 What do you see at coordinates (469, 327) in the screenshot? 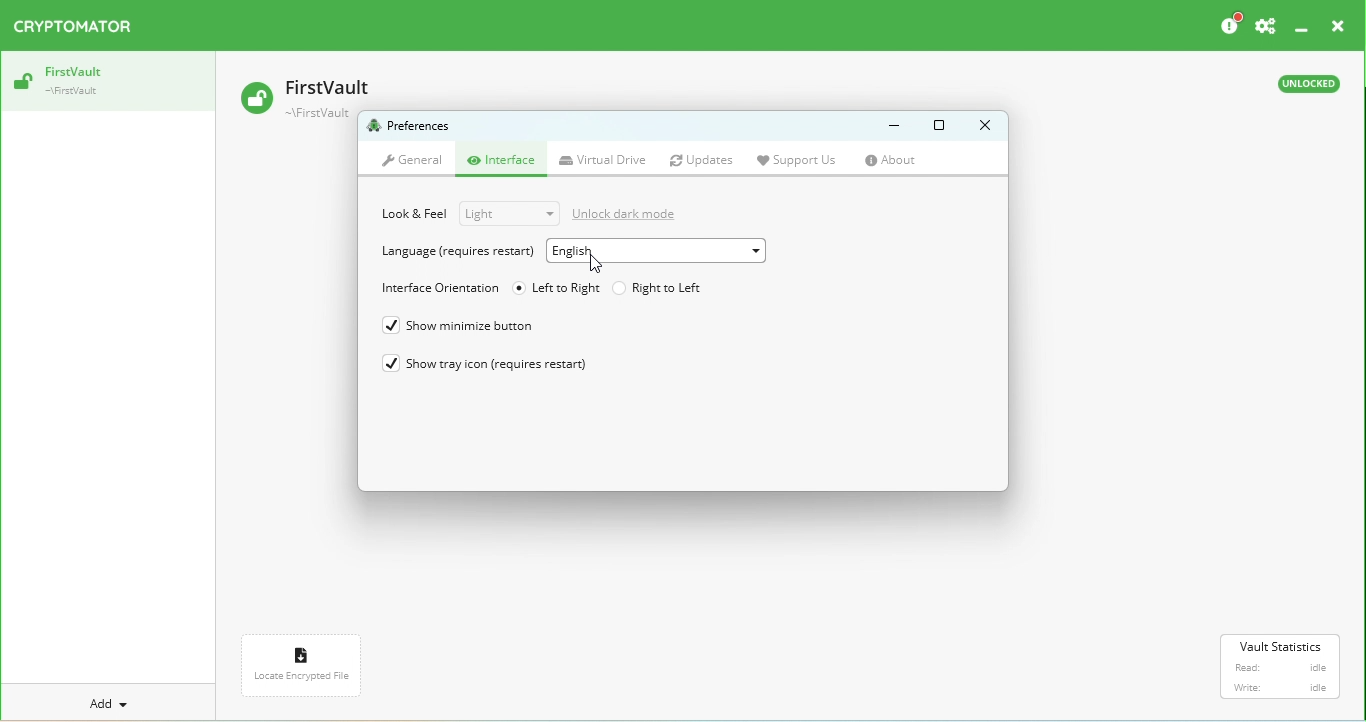
I see `Show minimize button` at bounding box center [469, 327].